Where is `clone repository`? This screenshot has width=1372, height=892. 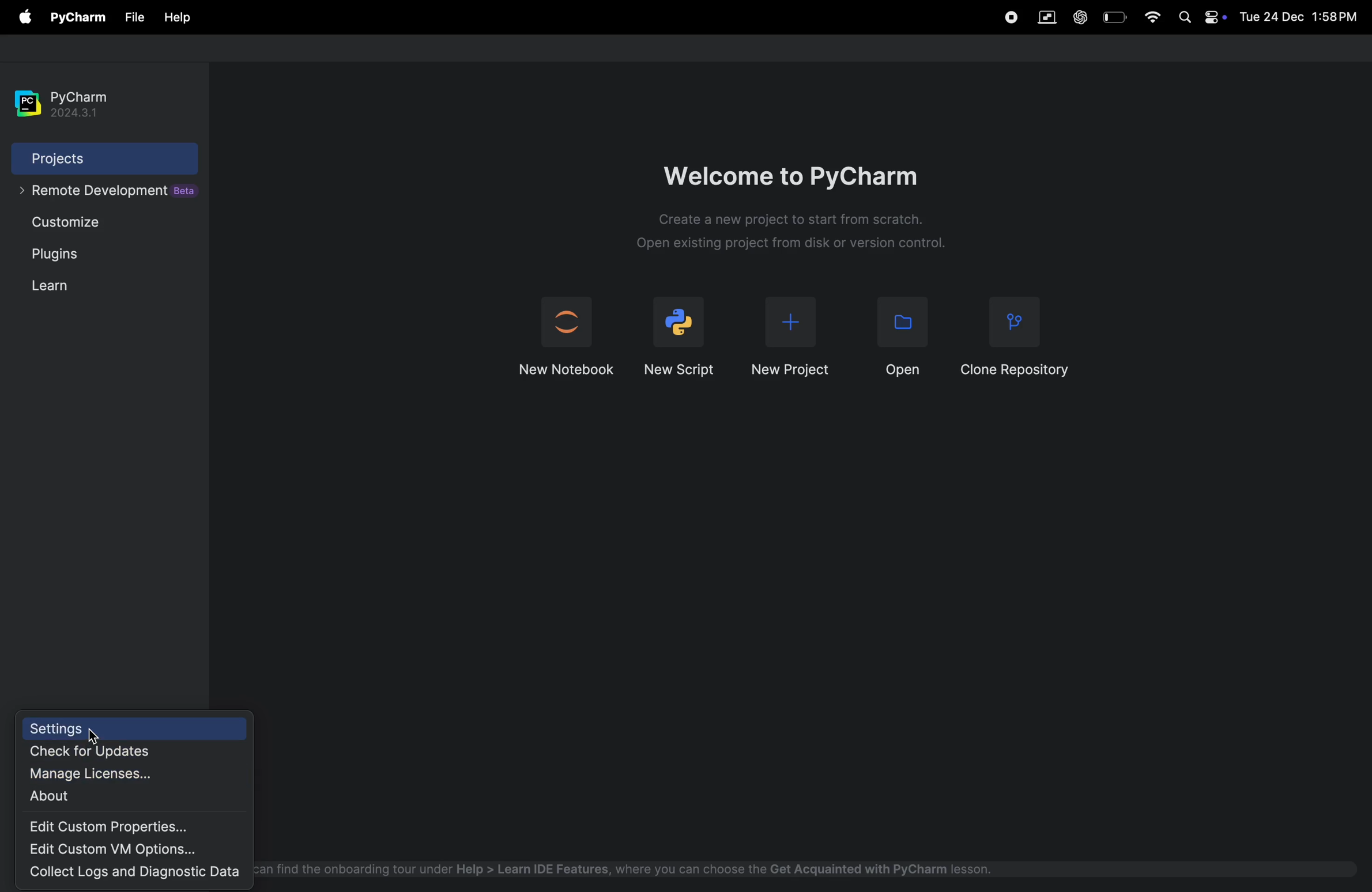 clone repository is located at coordinates (1018, 335).